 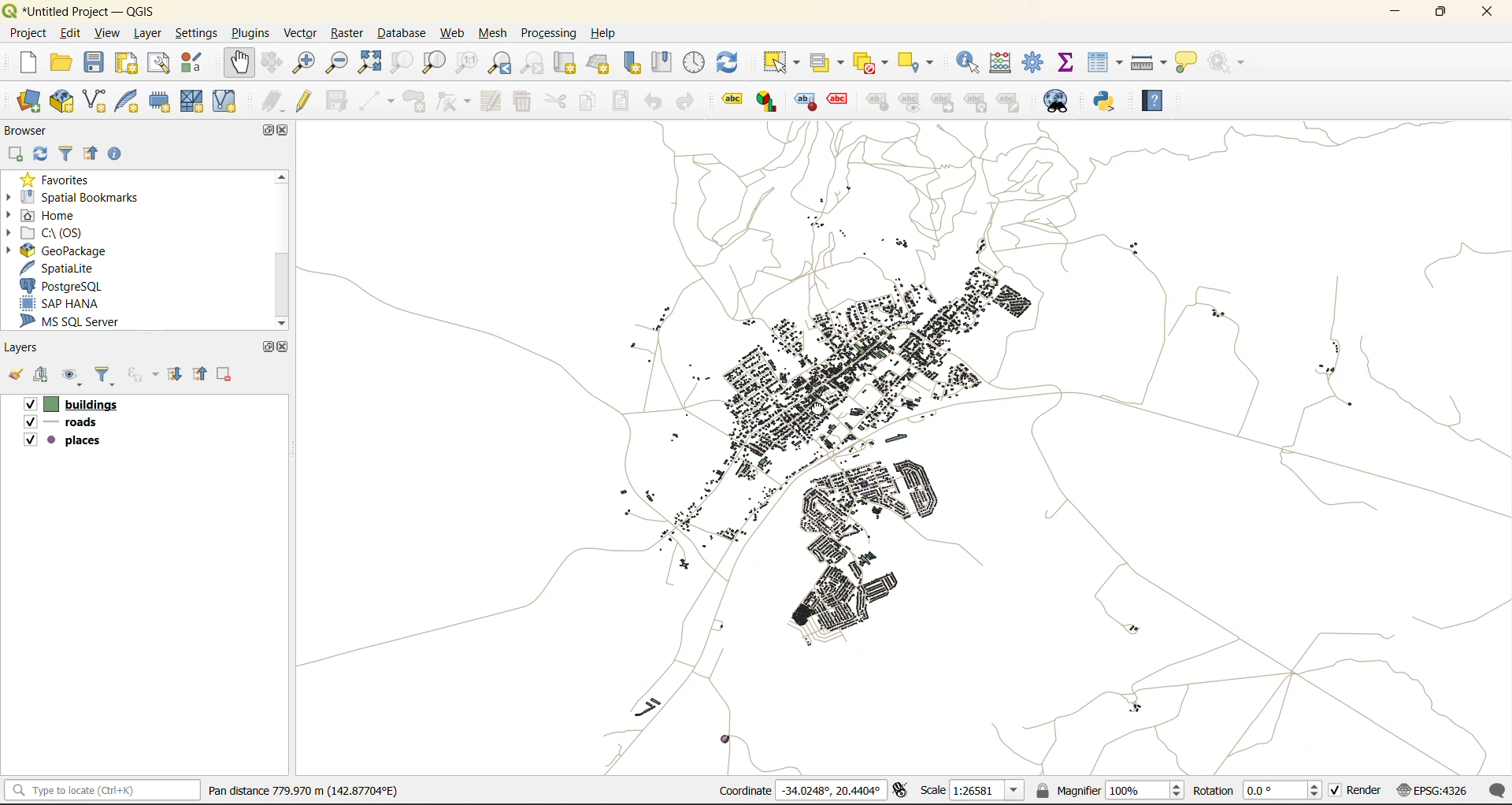 What do you see at coordinates (283, 345) in the screenshot?
I see `close` at bounding box center [283, 345].